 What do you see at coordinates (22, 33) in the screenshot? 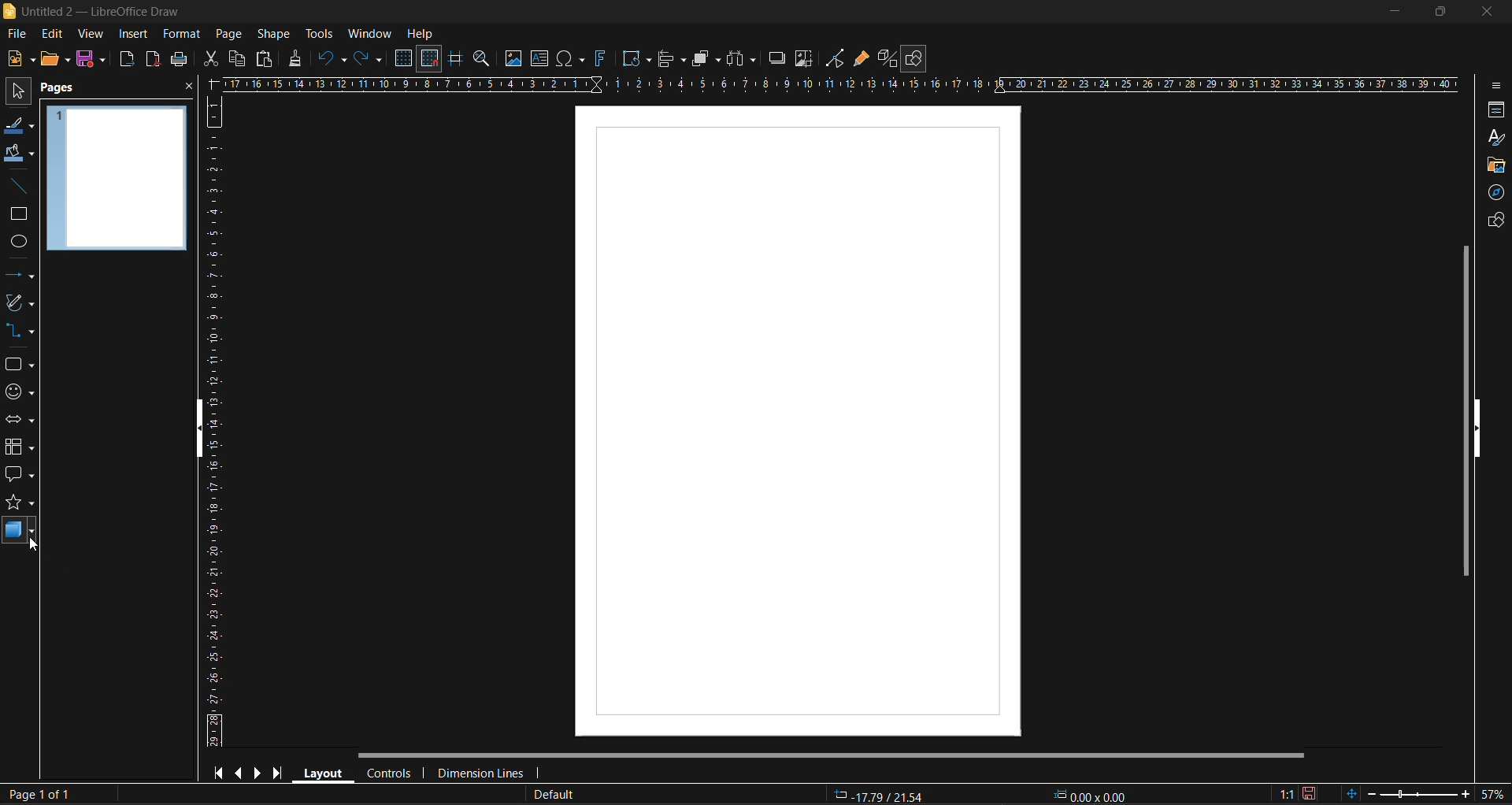
I see `file` at bounding box center [22, 33].